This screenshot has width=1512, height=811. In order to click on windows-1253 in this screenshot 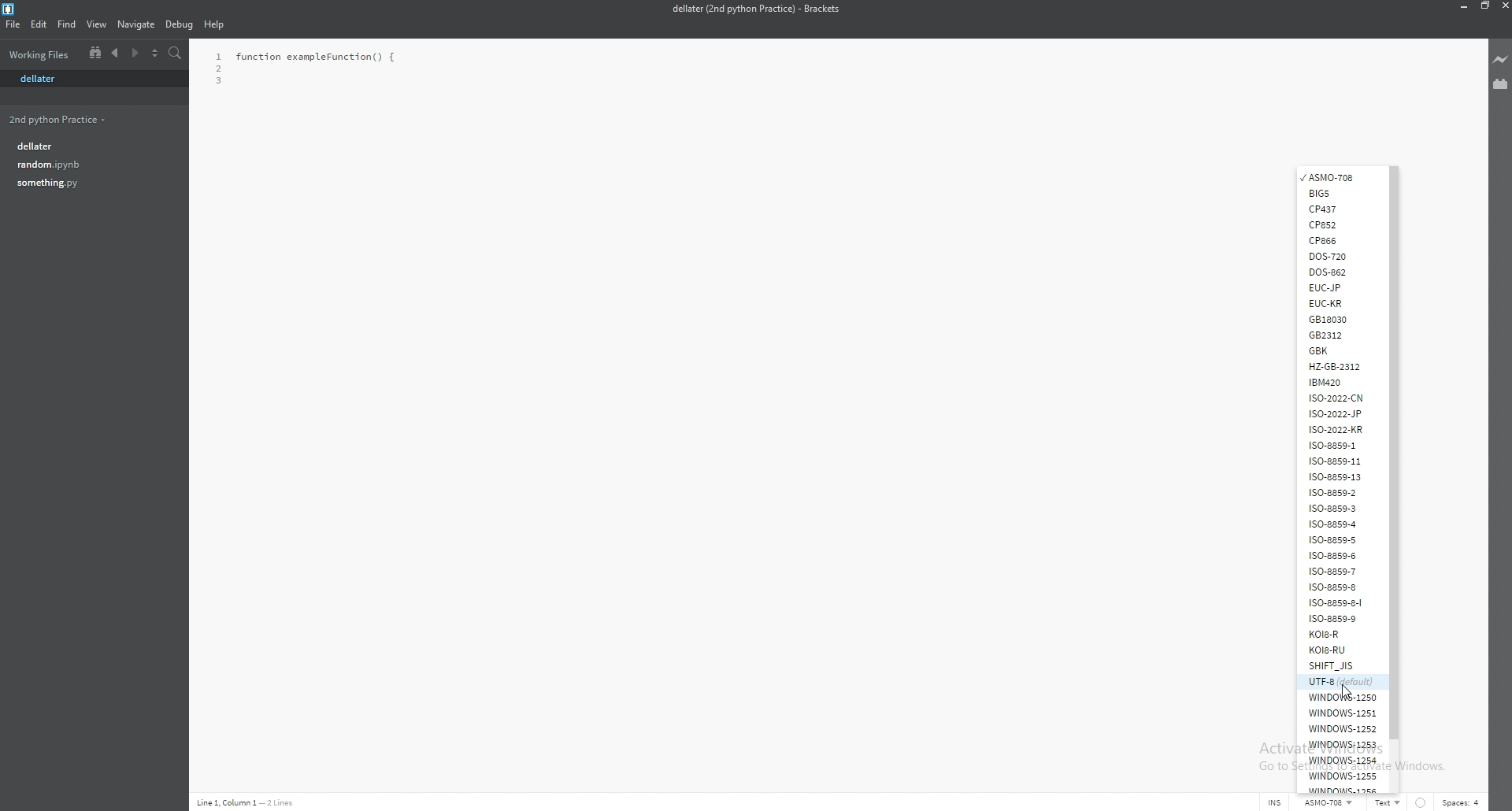, I will do `click(1343, 744)`.